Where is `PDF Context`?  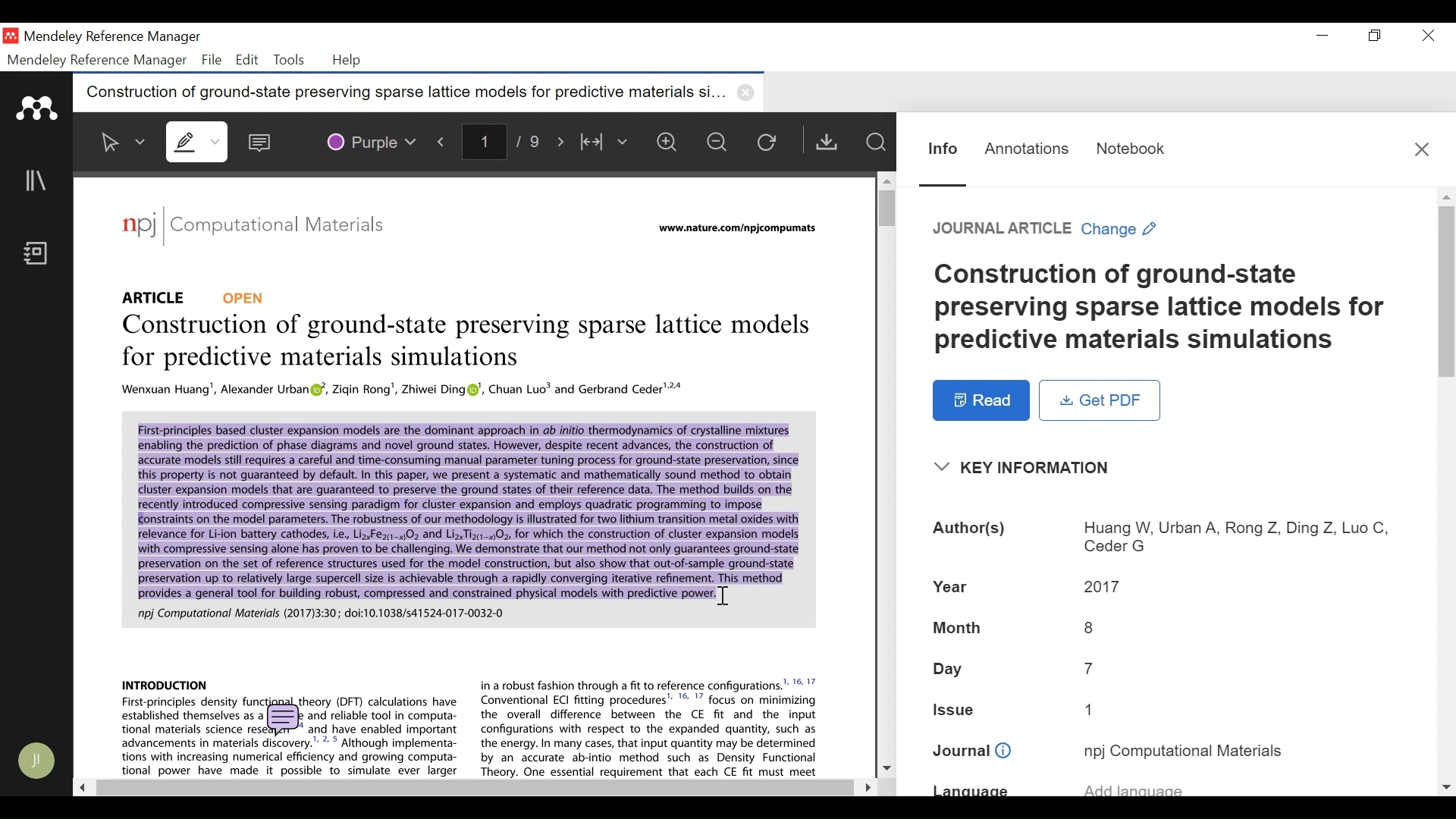
PDF Context is located at coordinates (405, 391).